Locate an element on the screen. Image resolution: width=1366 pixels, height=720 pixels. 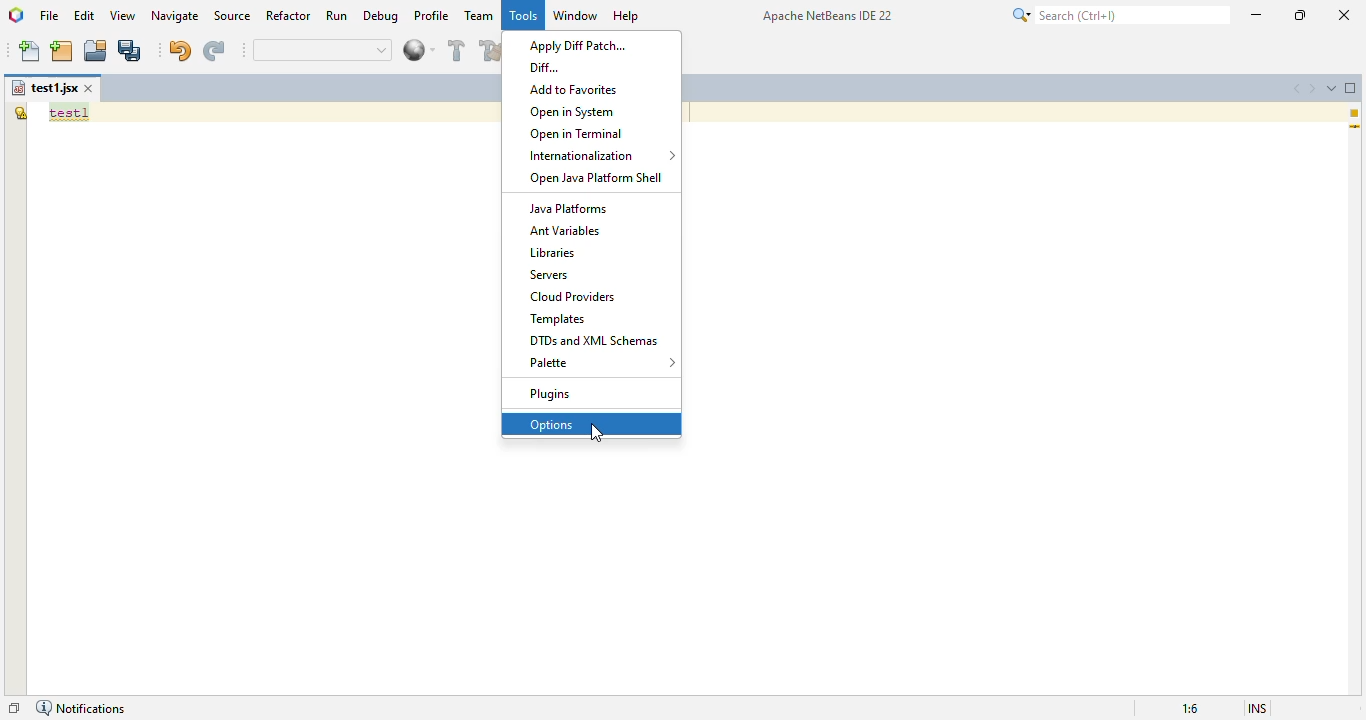
templates is located at coordinates (558, 319).